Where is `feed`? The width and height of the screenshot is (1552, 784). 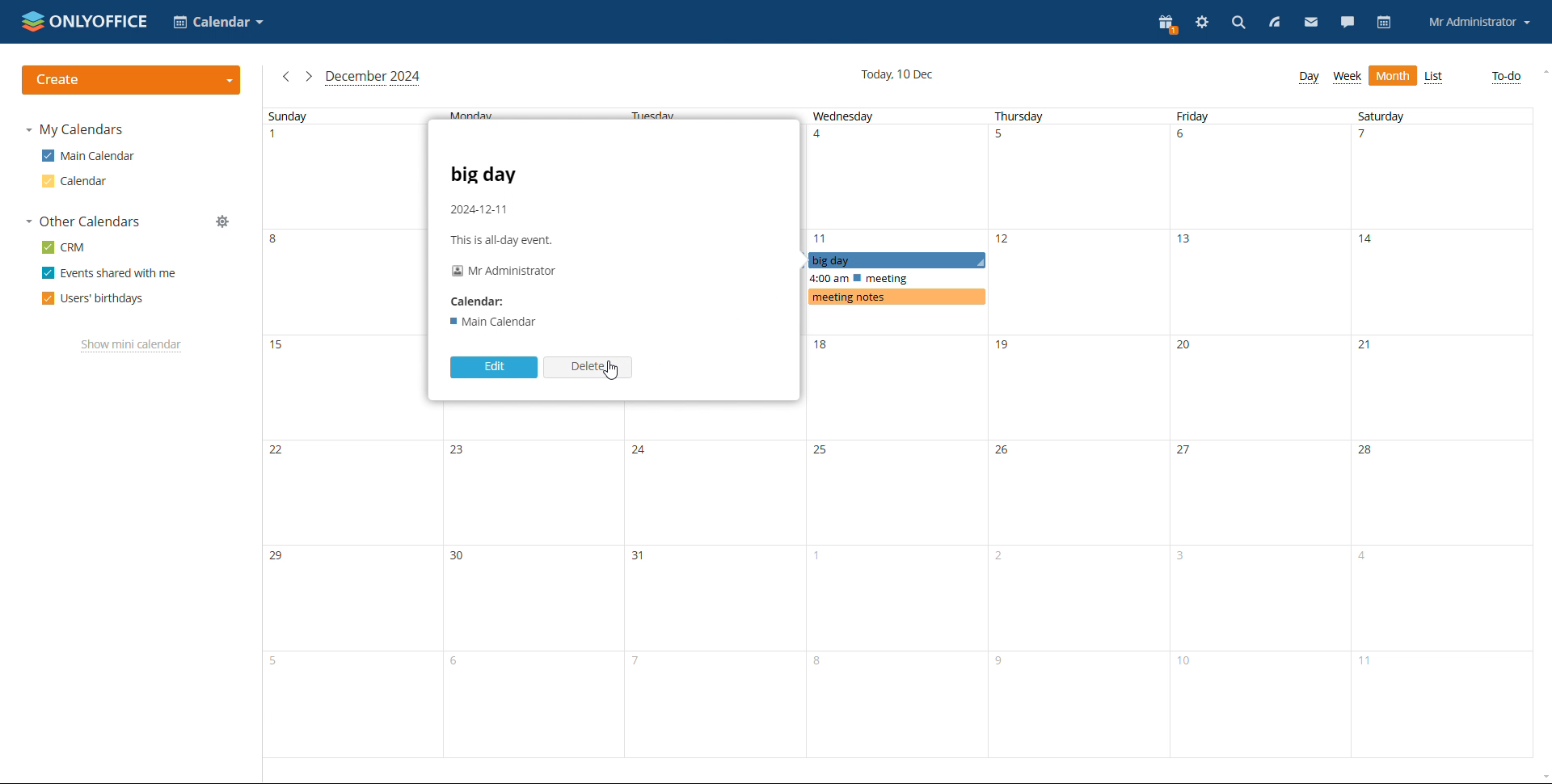 feed is located at coordinates (1273, 22).